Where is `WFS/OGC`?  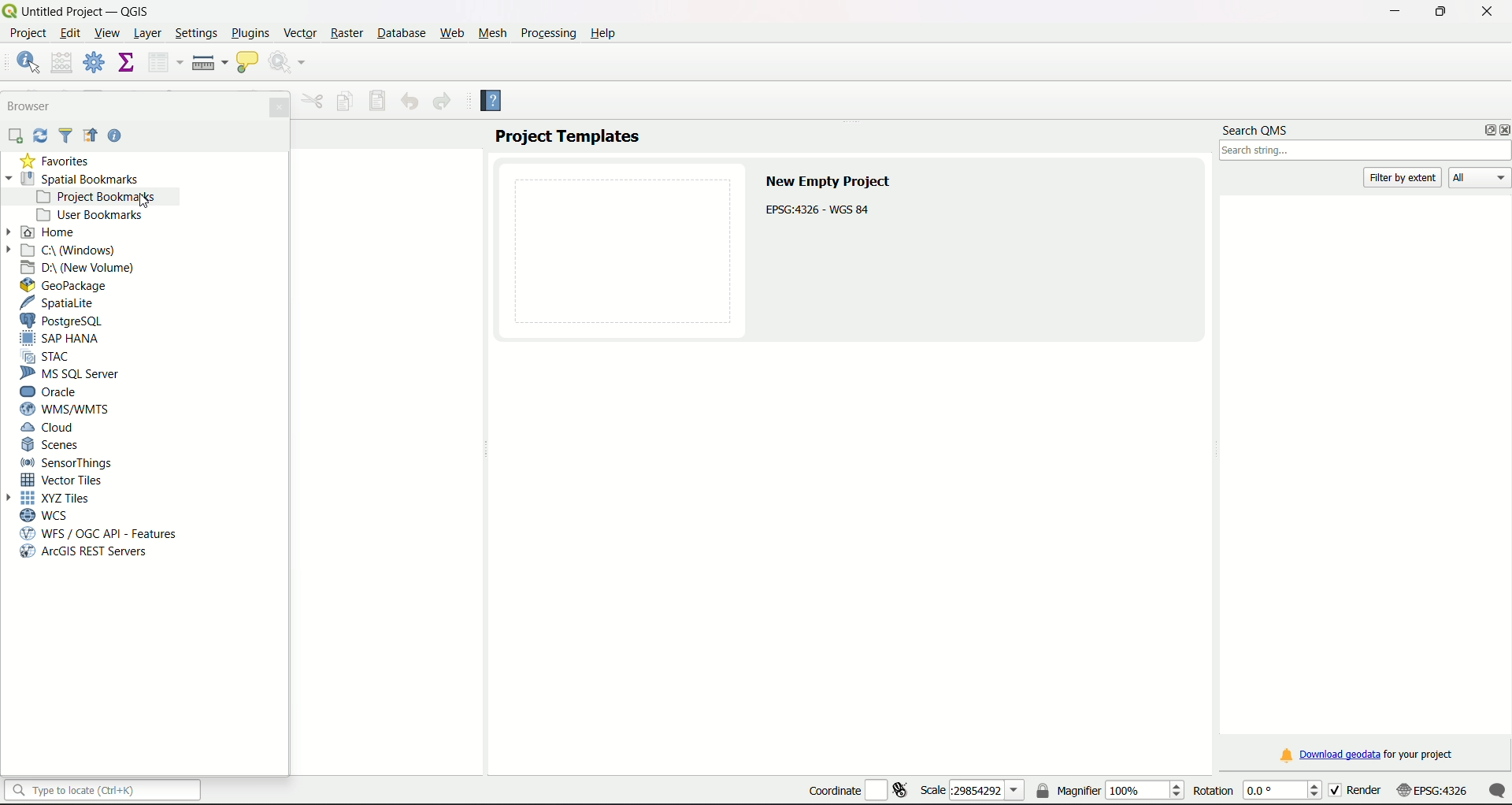 WFS/OGC is located at coordinates (104, 533).